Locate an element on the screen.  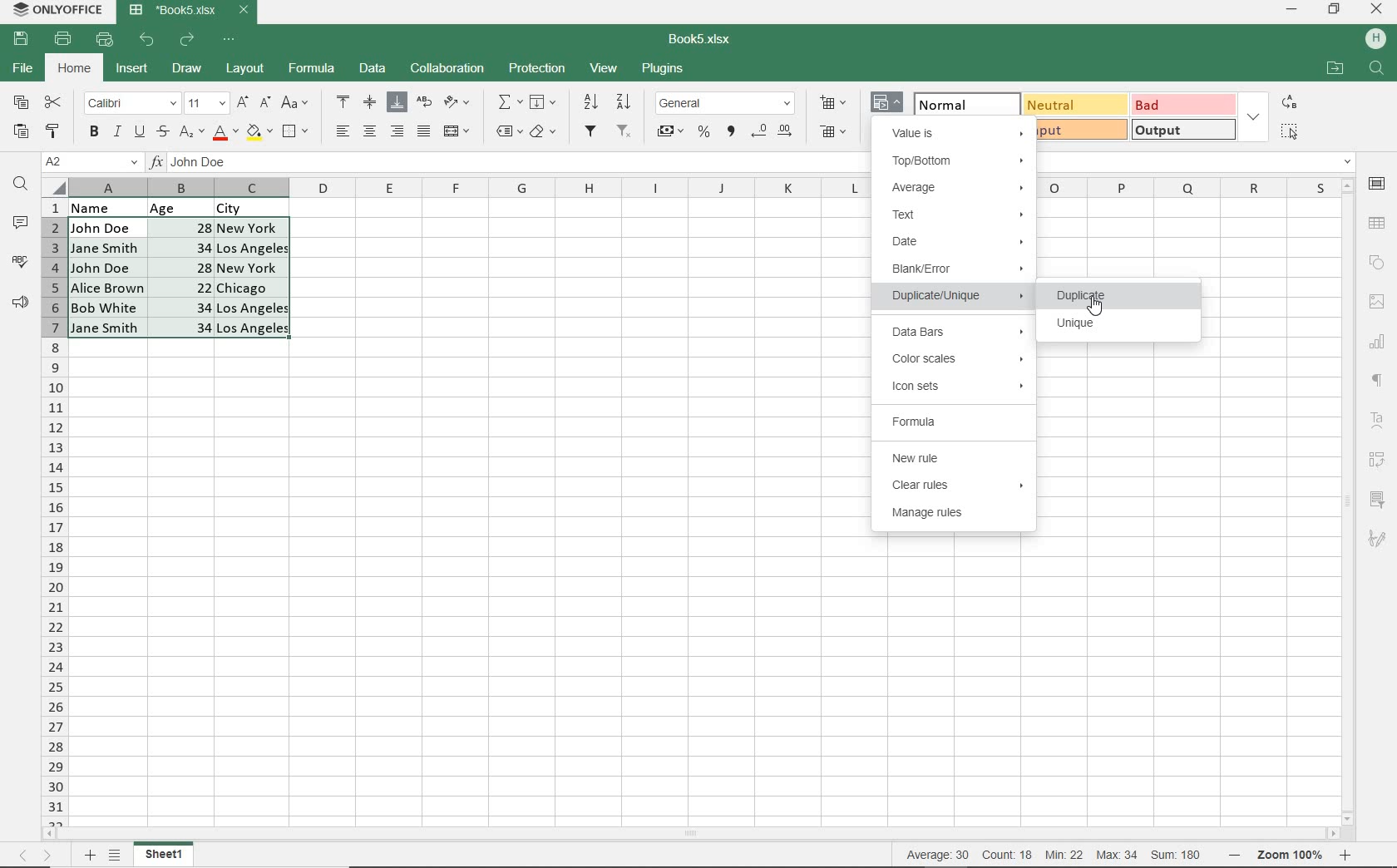
SAVE is located at coordinates (23, 37).